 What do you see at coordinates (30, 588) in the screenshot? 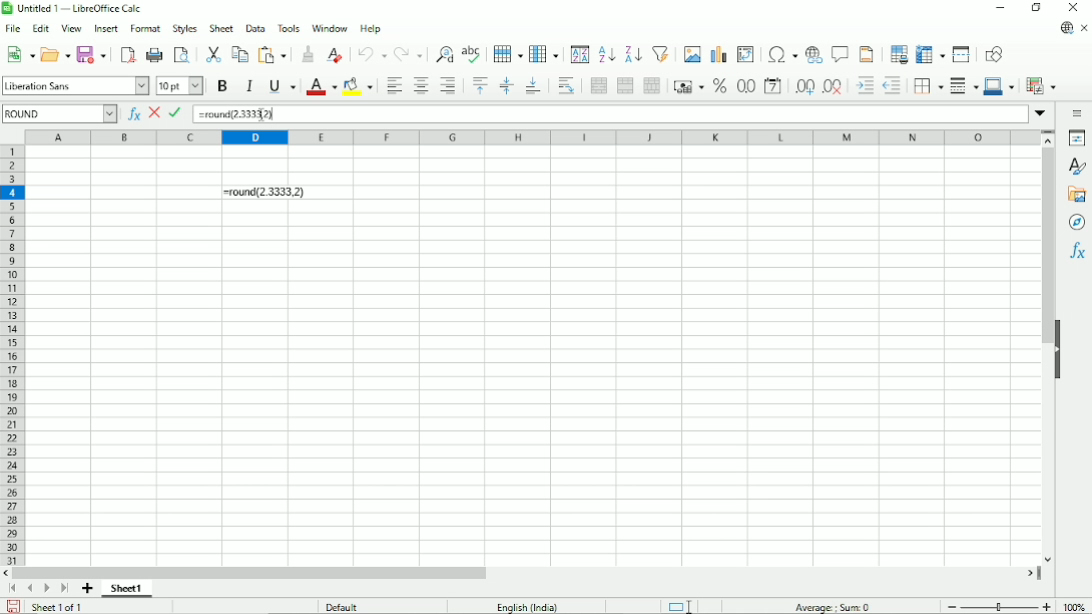
I see `Scroll to previous sheet` at bounding box center [30, 588].